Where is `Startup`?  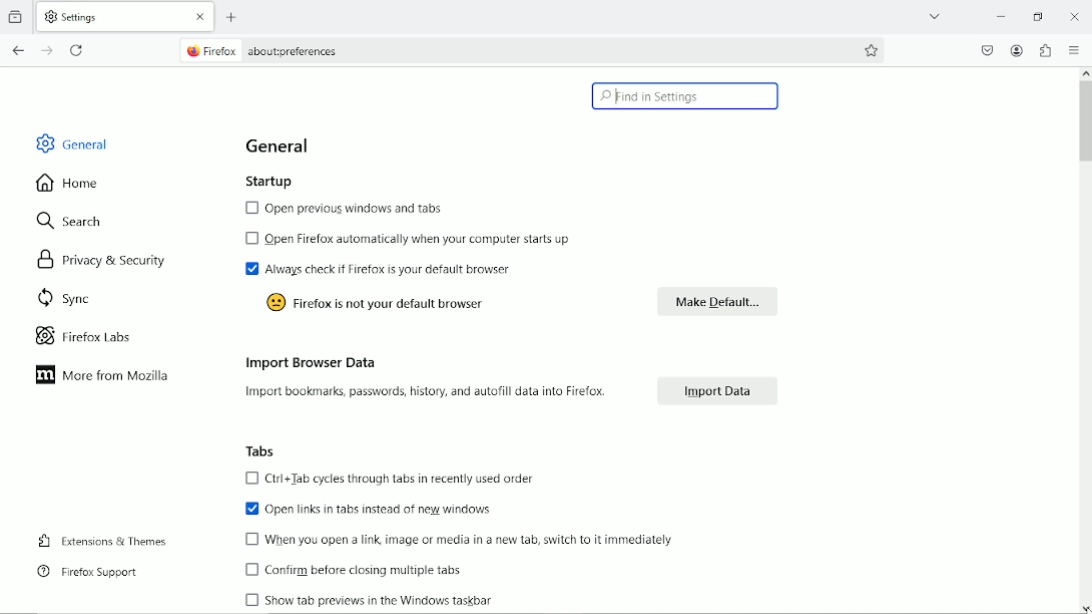
Startup is located at coordinates (272, 179).